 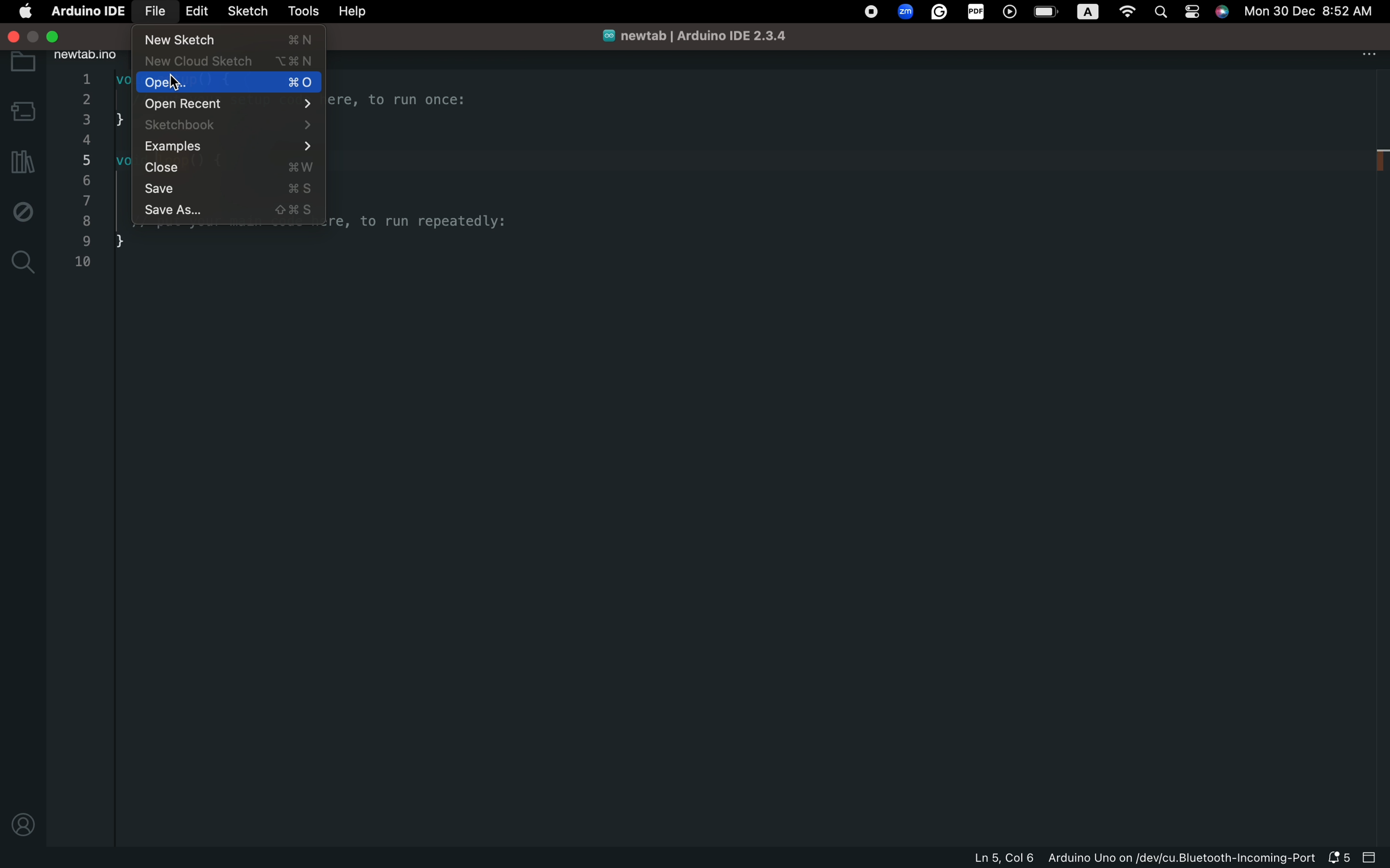 What do you see at coordinates (14, 37) in the screenshot?
I see `close` at bounding box center [14, 37].